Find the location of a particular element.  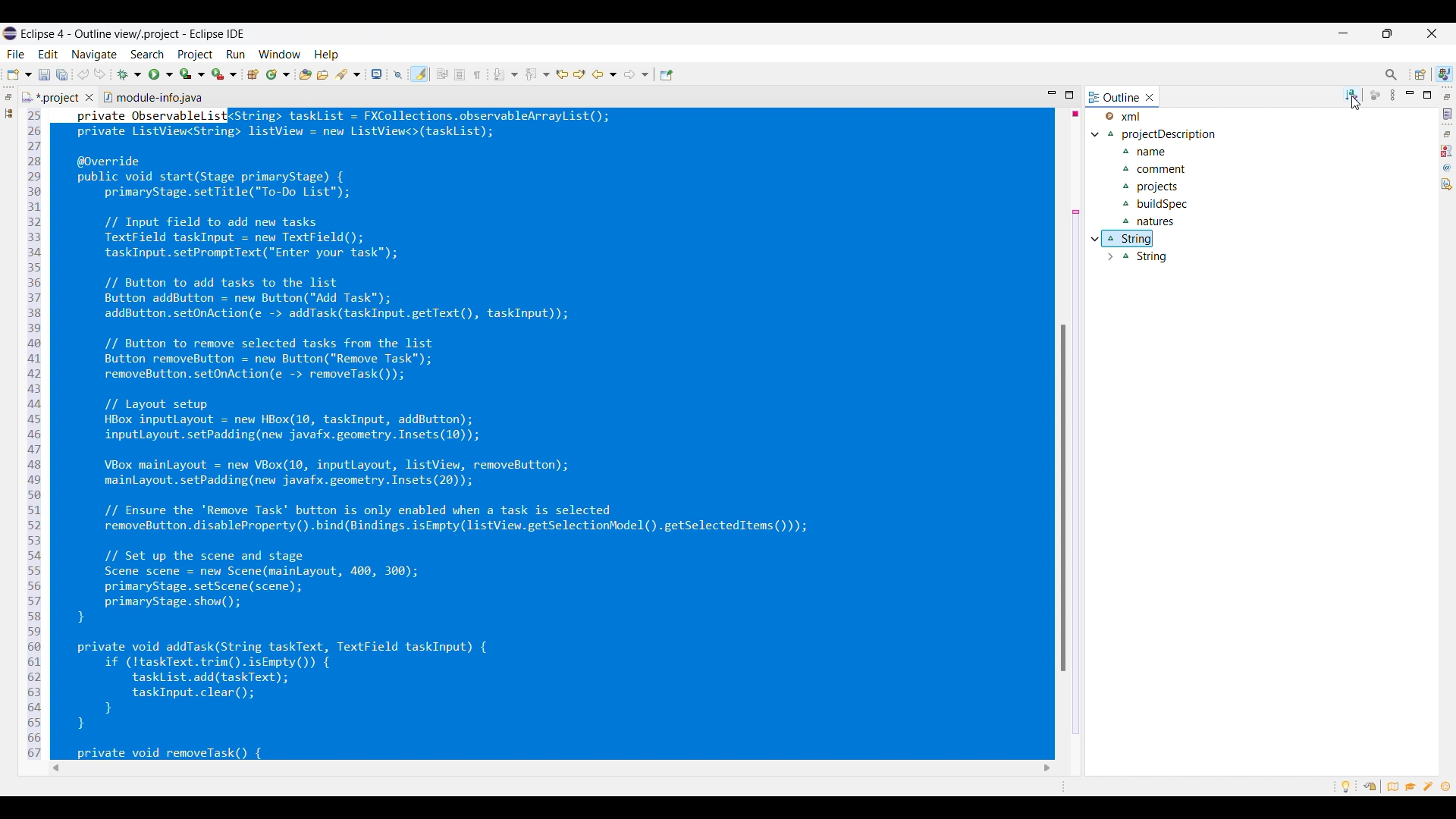

Close interface is located at coordinates (1432, 33).